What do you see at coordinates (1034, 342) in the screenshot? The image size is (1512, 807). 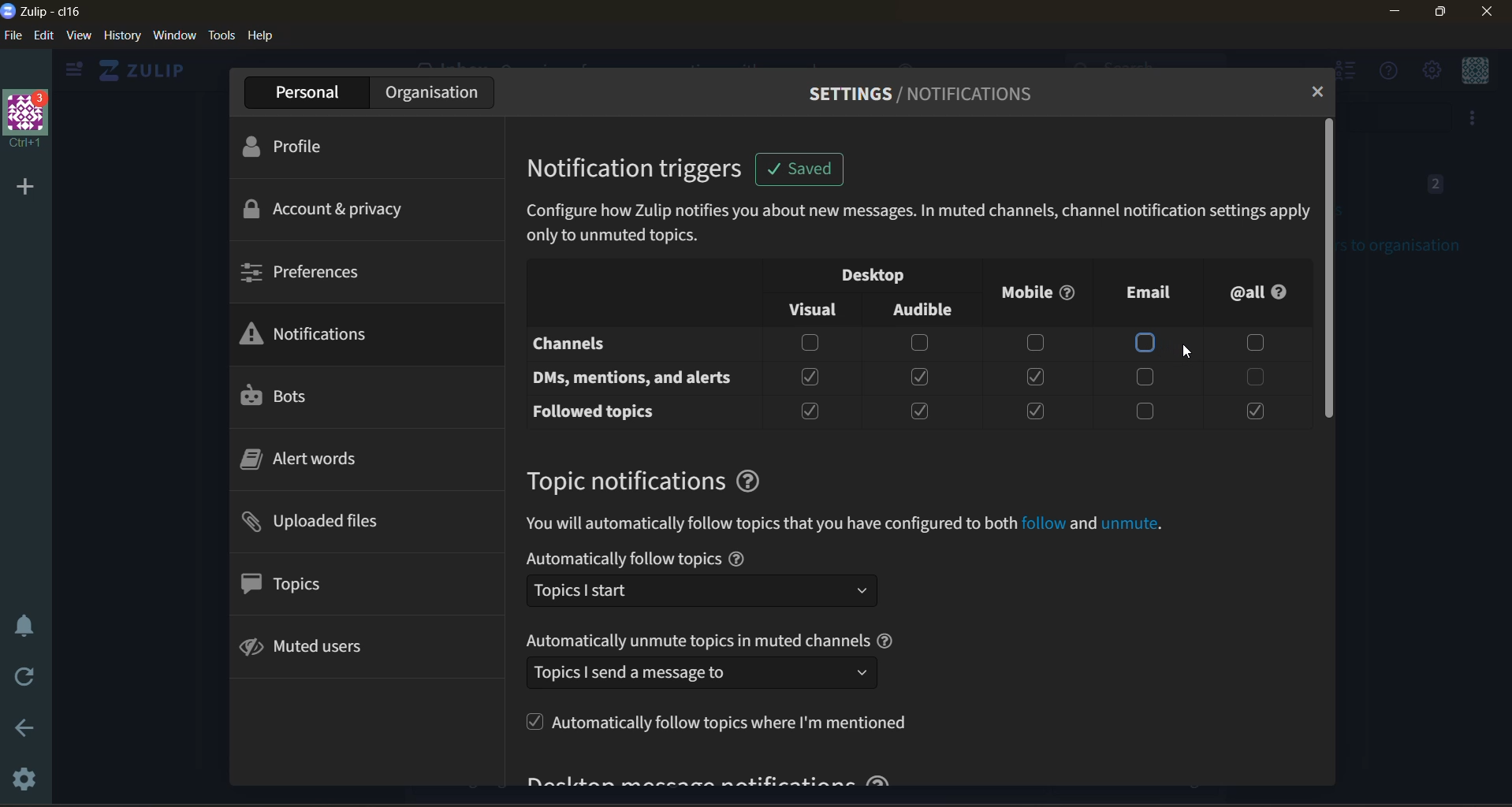 I see `checkbox` at bounding box center [1034, 342].